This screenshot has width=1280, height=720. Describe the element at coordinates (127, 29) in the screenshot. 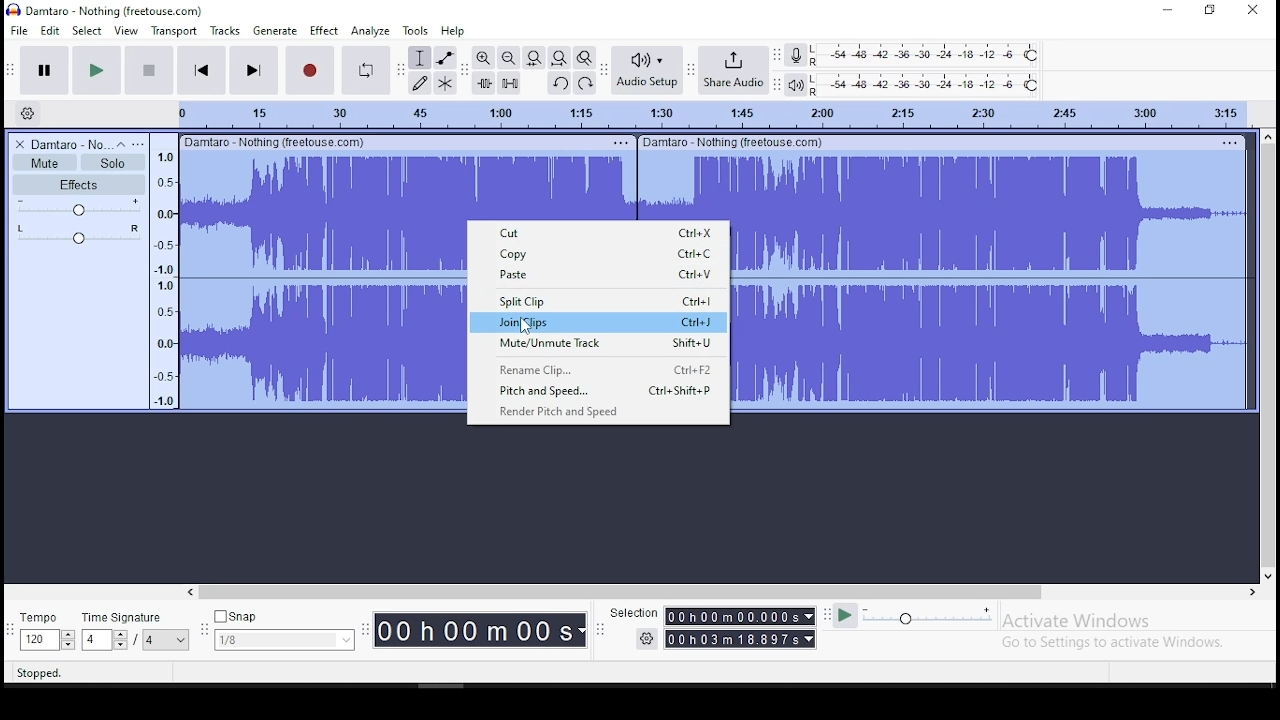

I see `view` at that location.